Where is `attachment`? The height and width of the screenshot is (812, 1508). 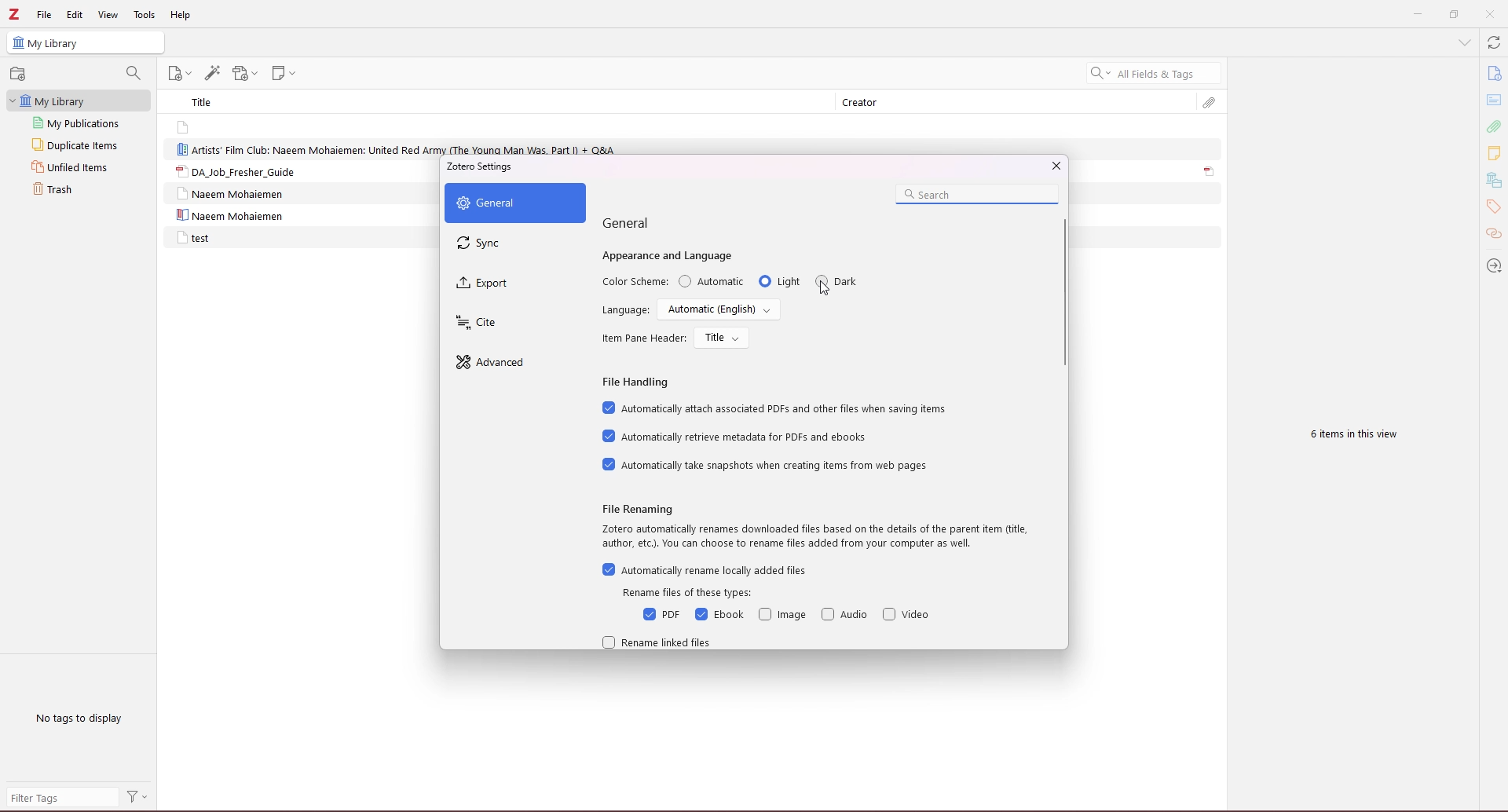 attachment is located at coordinates (1210, 103).